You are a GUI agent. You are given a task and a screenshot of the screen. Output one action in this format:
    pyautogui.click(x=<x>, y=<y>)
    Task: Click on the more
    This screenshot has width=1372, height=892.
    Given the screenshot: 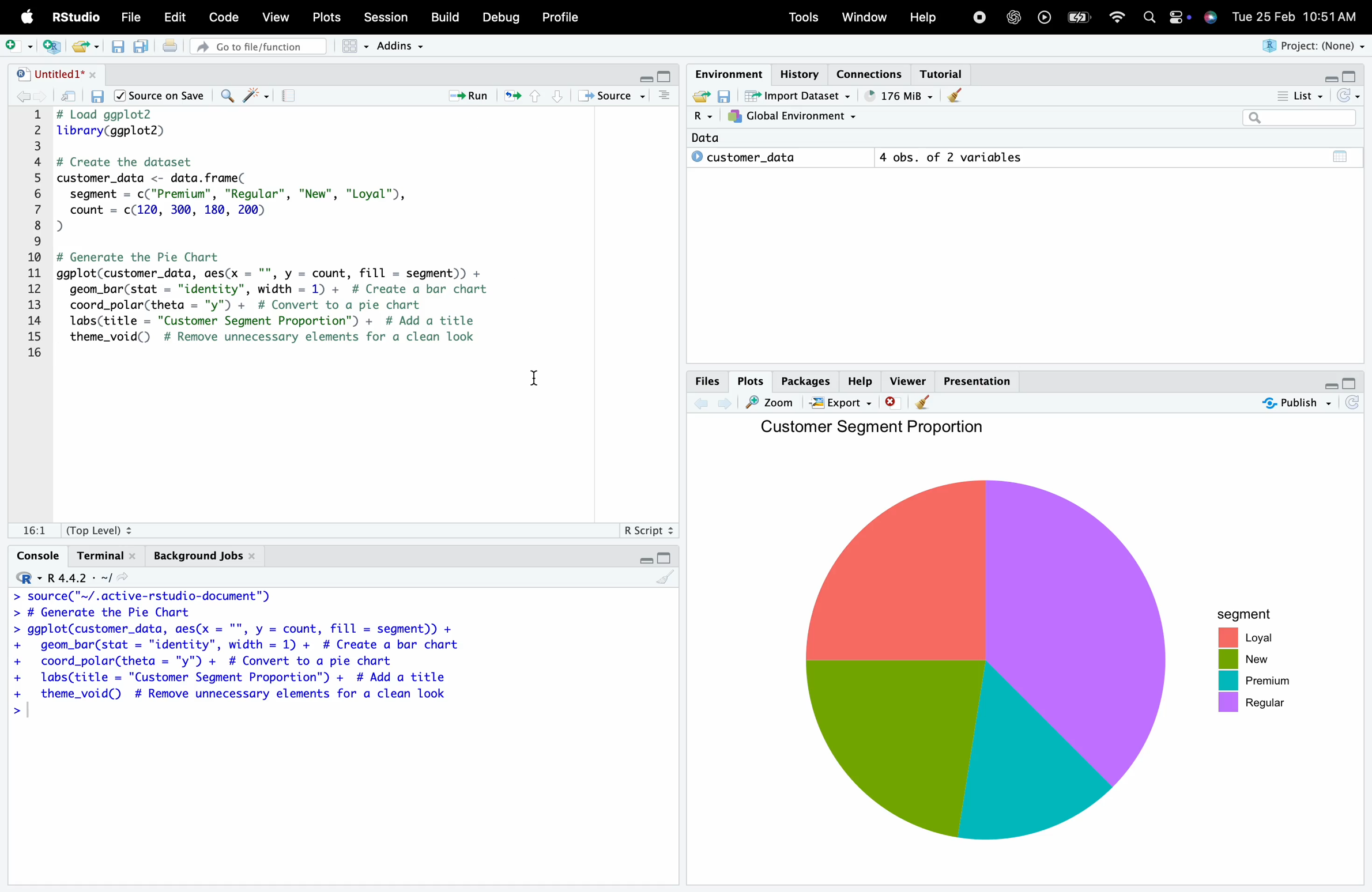 What is the action you would take?
    pyautogui.click(x=666, y=99)
    